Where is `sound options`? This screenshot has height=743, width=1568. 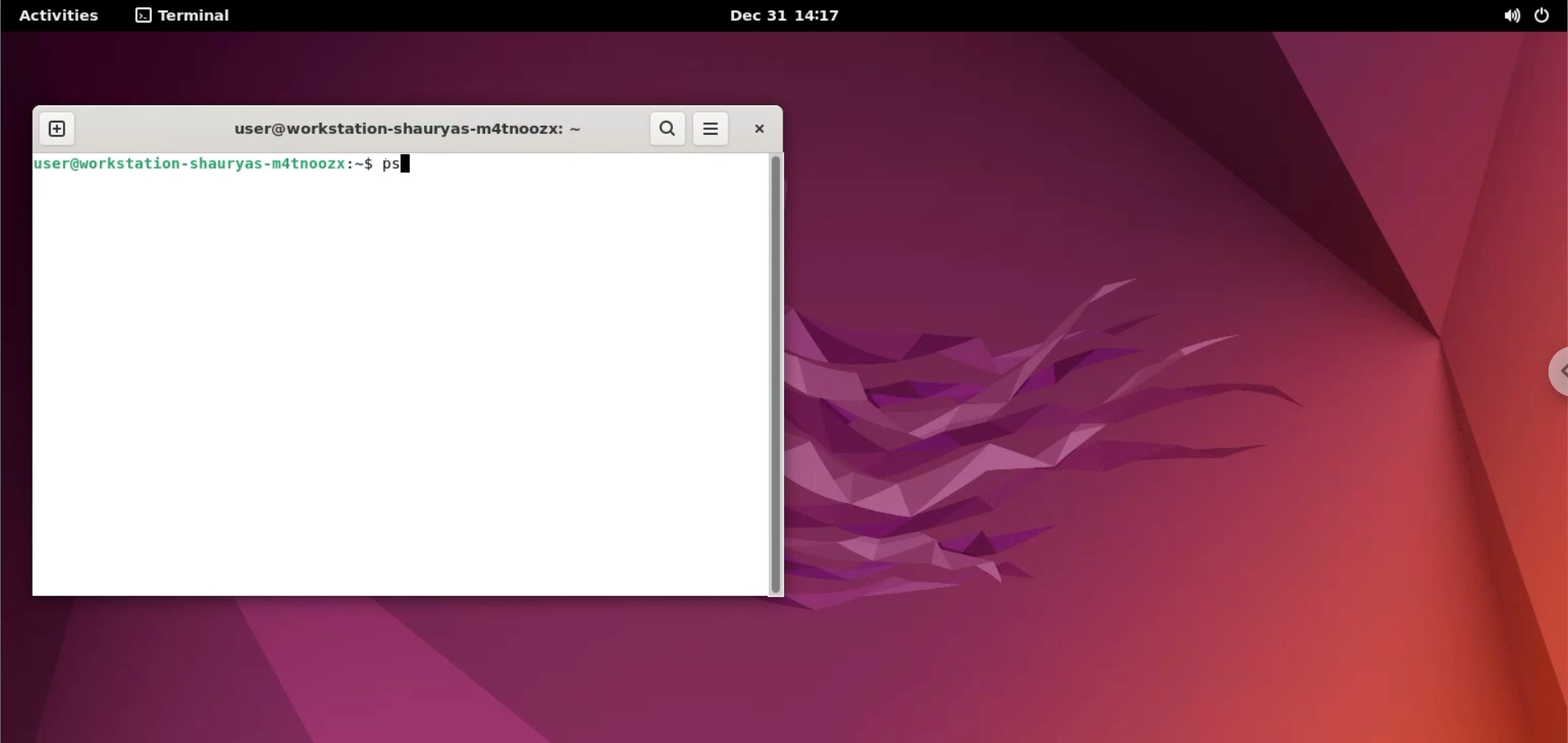 sound options is located at coordinates (1512, 18).